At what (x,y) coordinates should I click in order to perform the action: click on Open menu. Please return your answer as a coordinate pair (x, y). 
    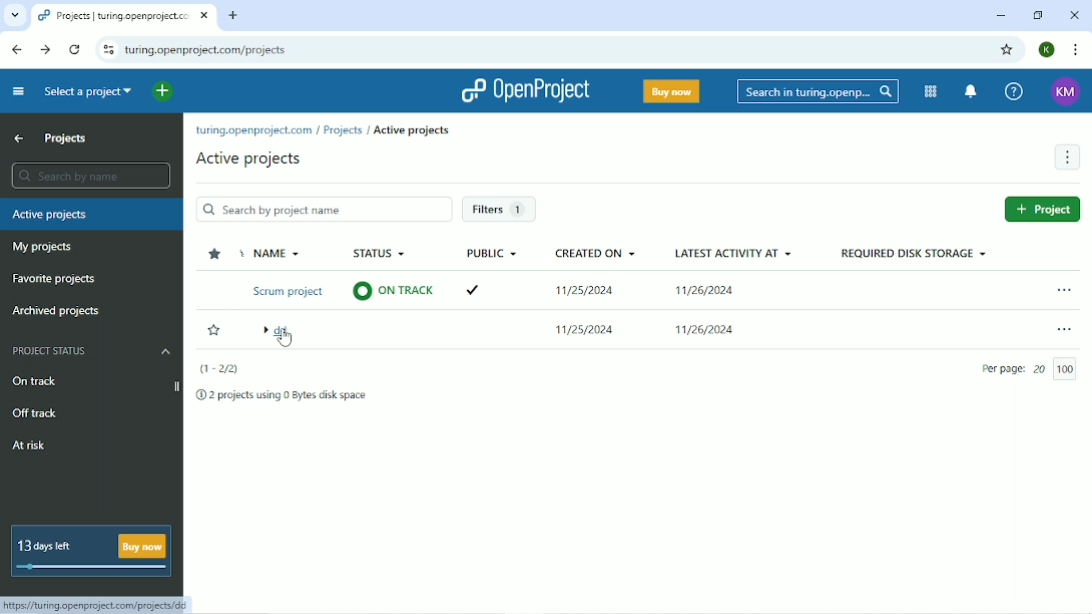
    Looking at the image, I should click on (1064, 290).